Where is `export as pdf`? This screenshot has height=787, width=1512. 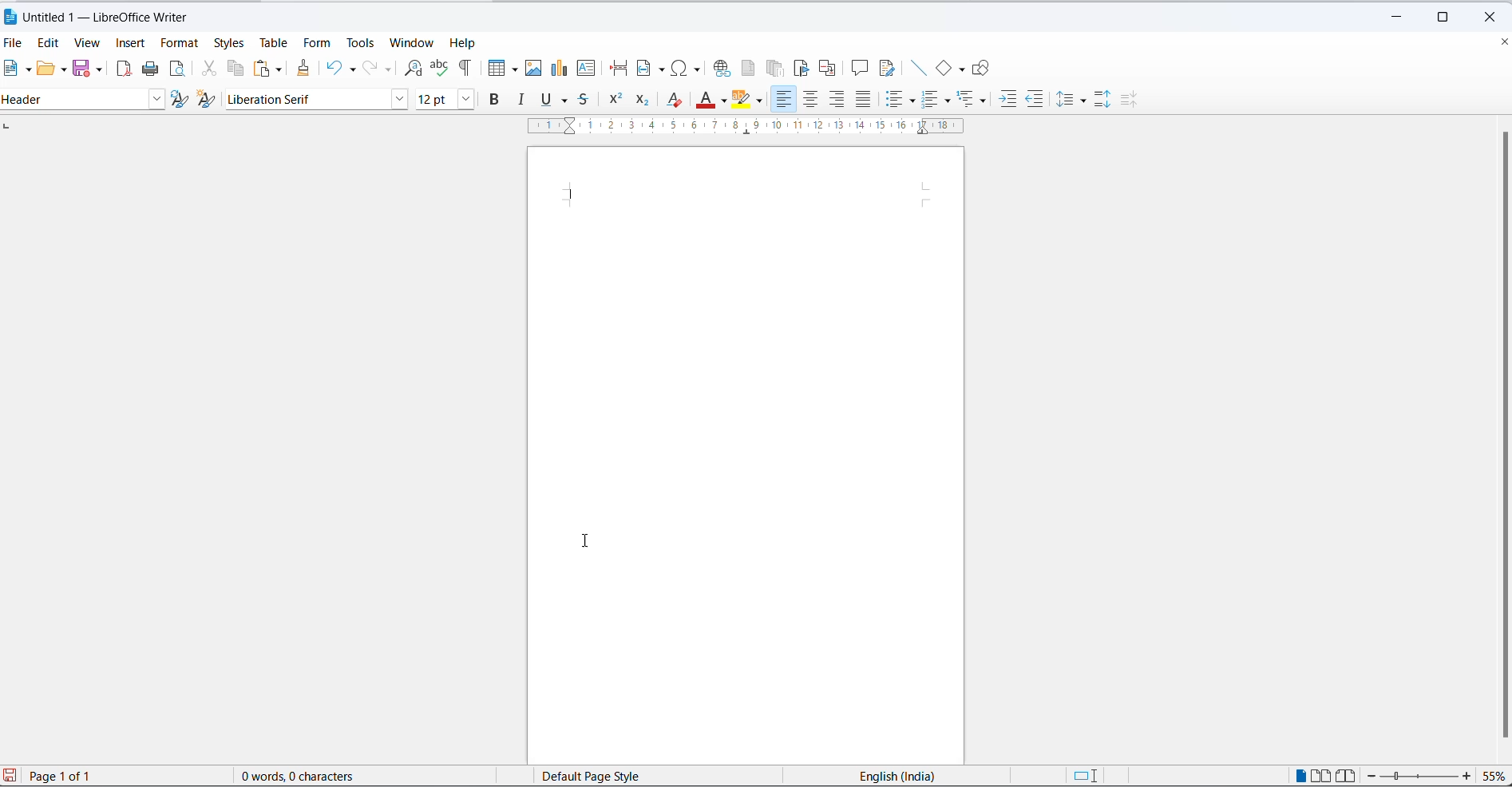 export as pdf is located at coordinates (121, 69).